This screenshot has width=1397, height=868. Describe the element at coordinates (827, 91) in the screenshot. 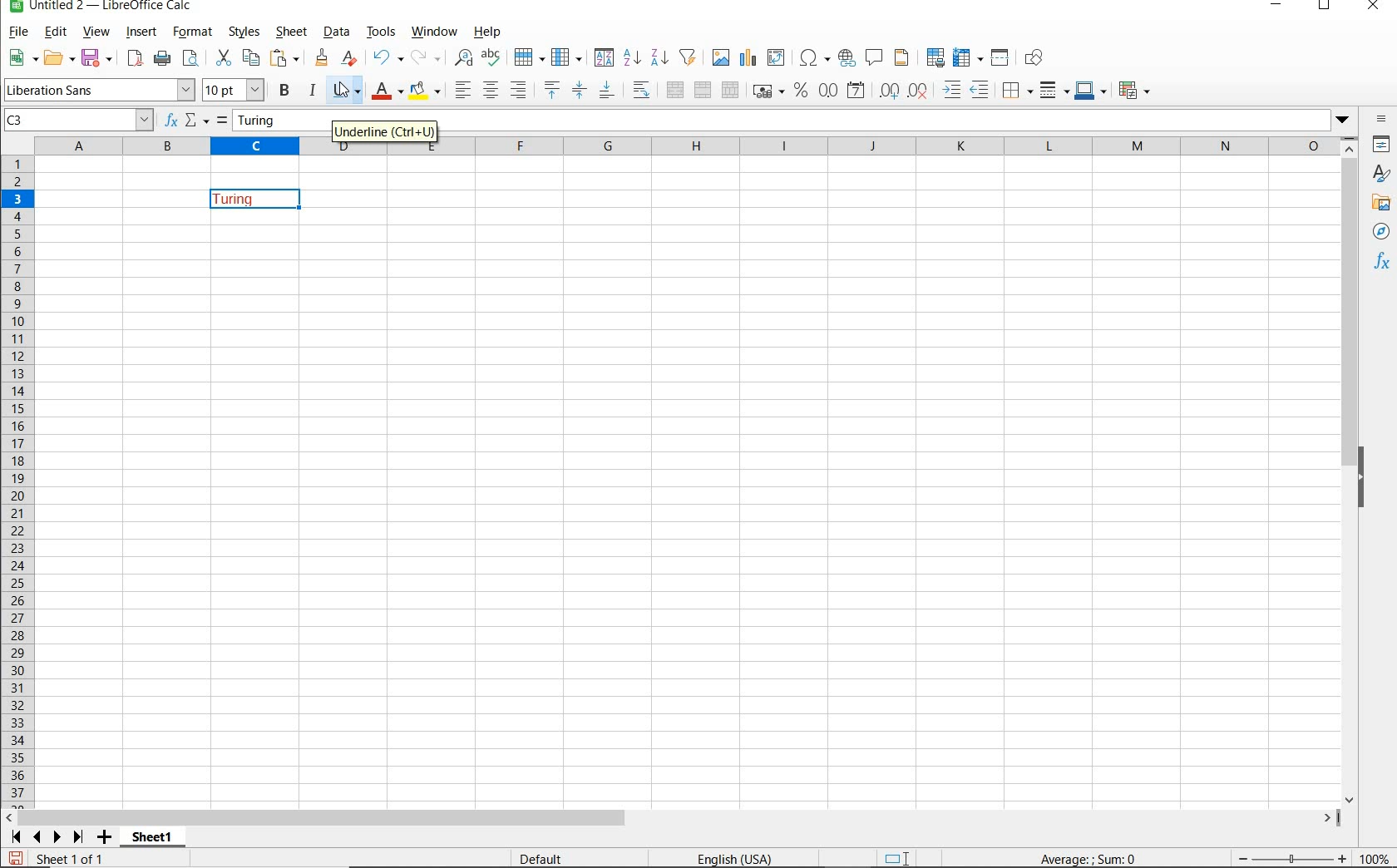

I see `FORMAT AS NUMBER` at that location.